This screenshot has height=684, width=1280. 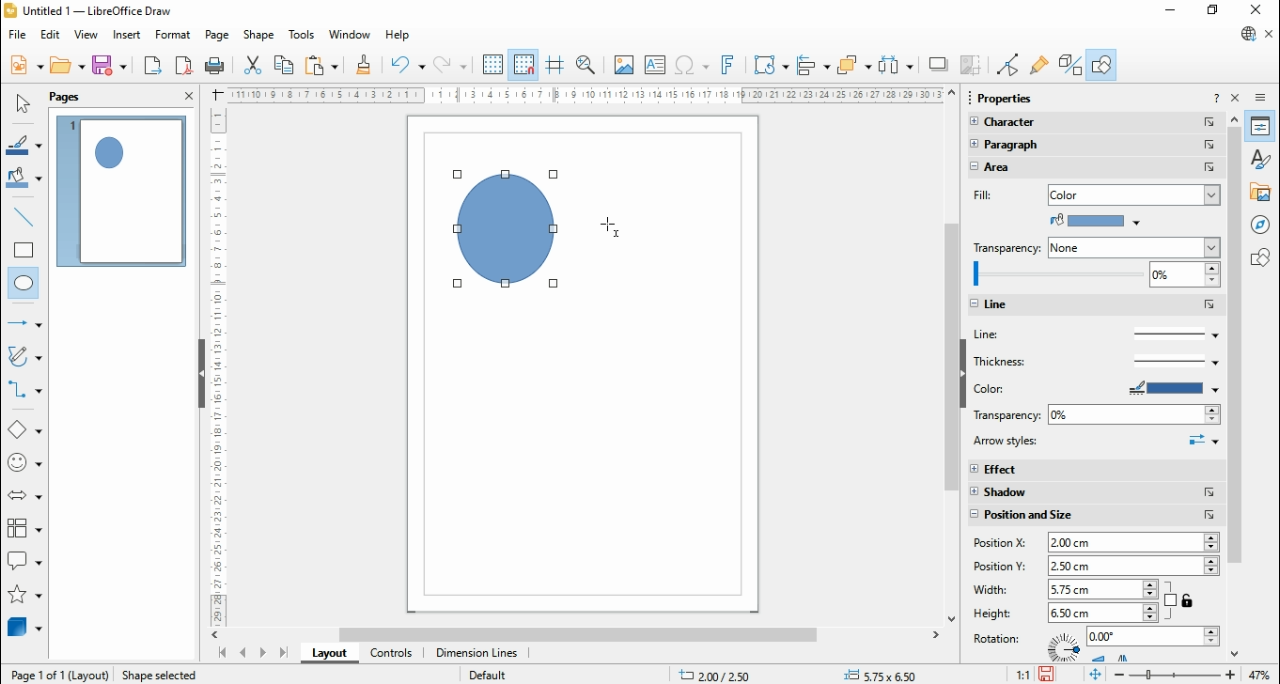 I want to click on page 1, so click(x=123, y=191).